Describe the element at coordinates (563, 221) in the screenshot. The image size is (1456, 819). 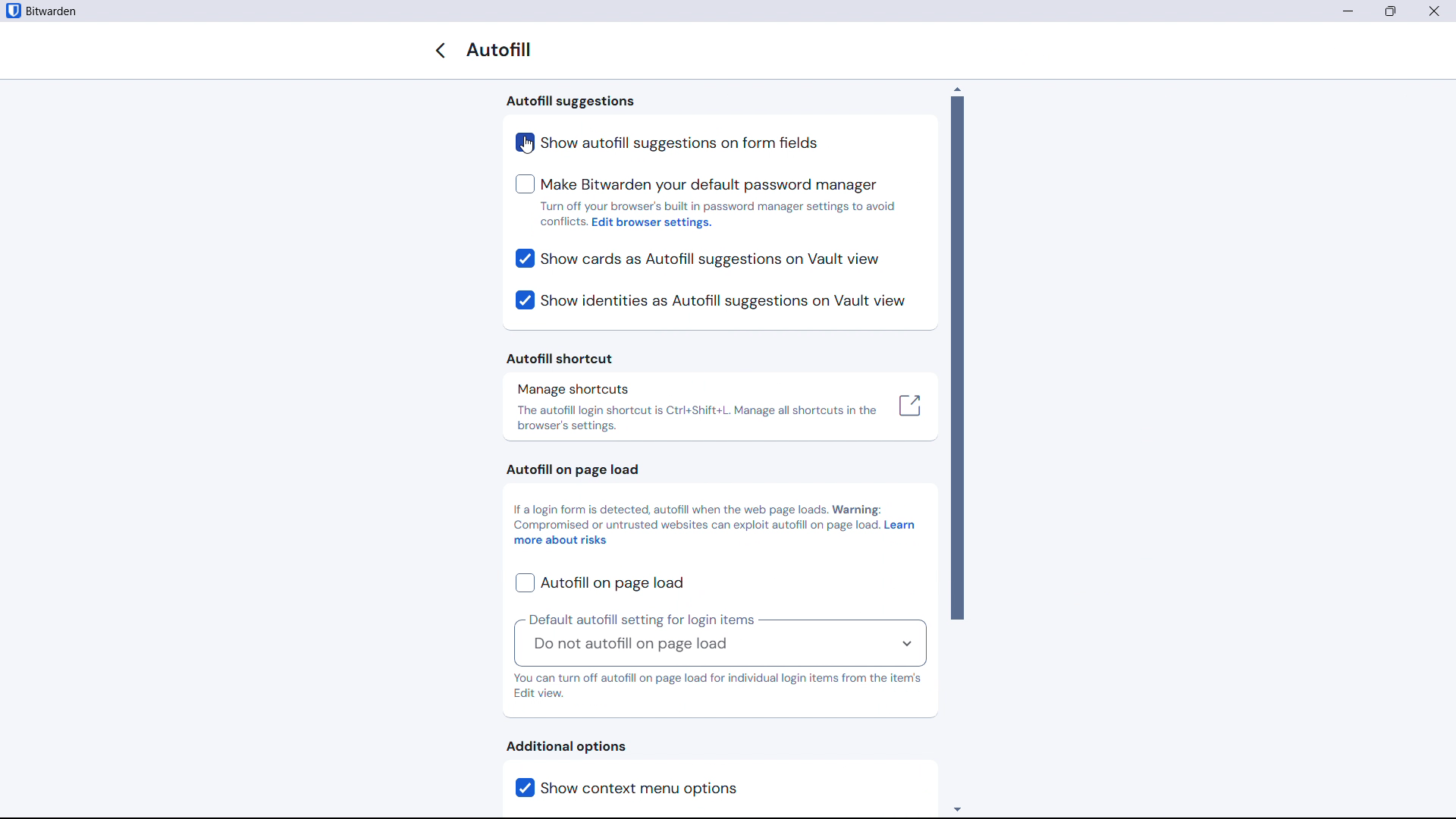
I see `conflicts` at that location.